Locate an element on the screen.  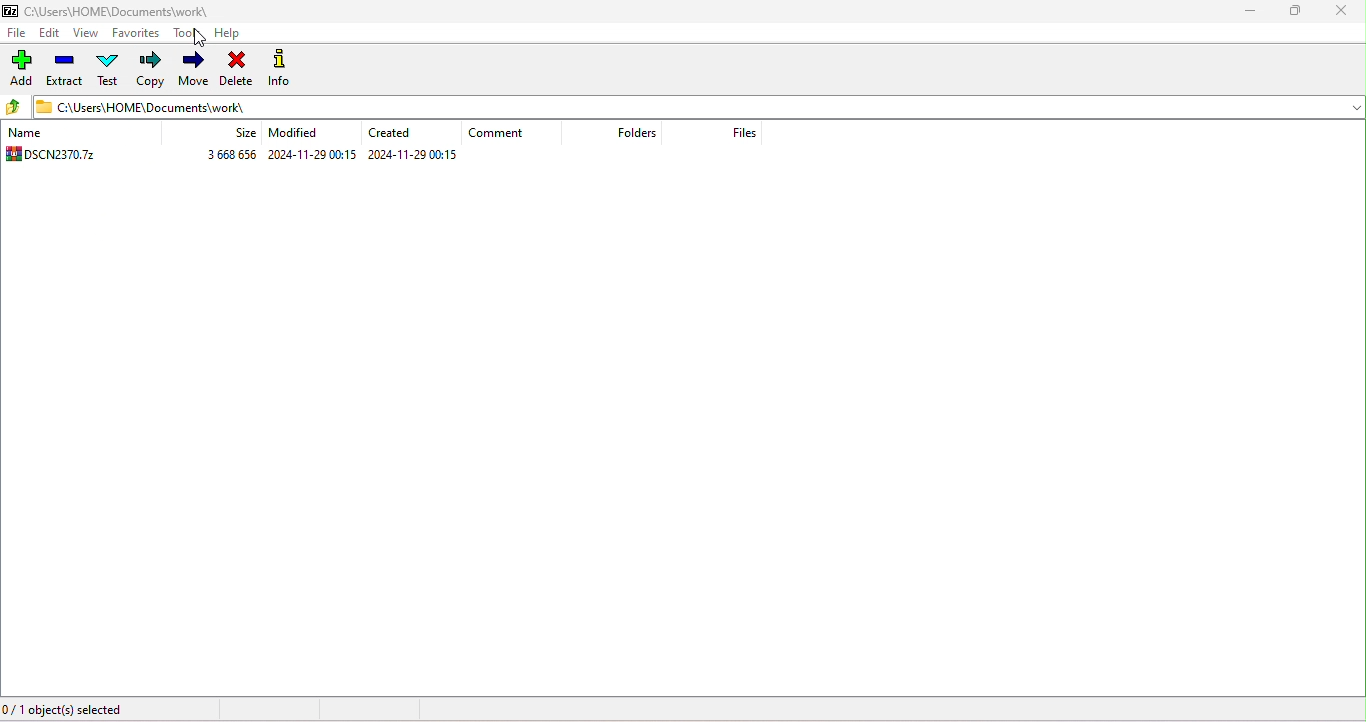
tools is located at coordinates (189, 34).